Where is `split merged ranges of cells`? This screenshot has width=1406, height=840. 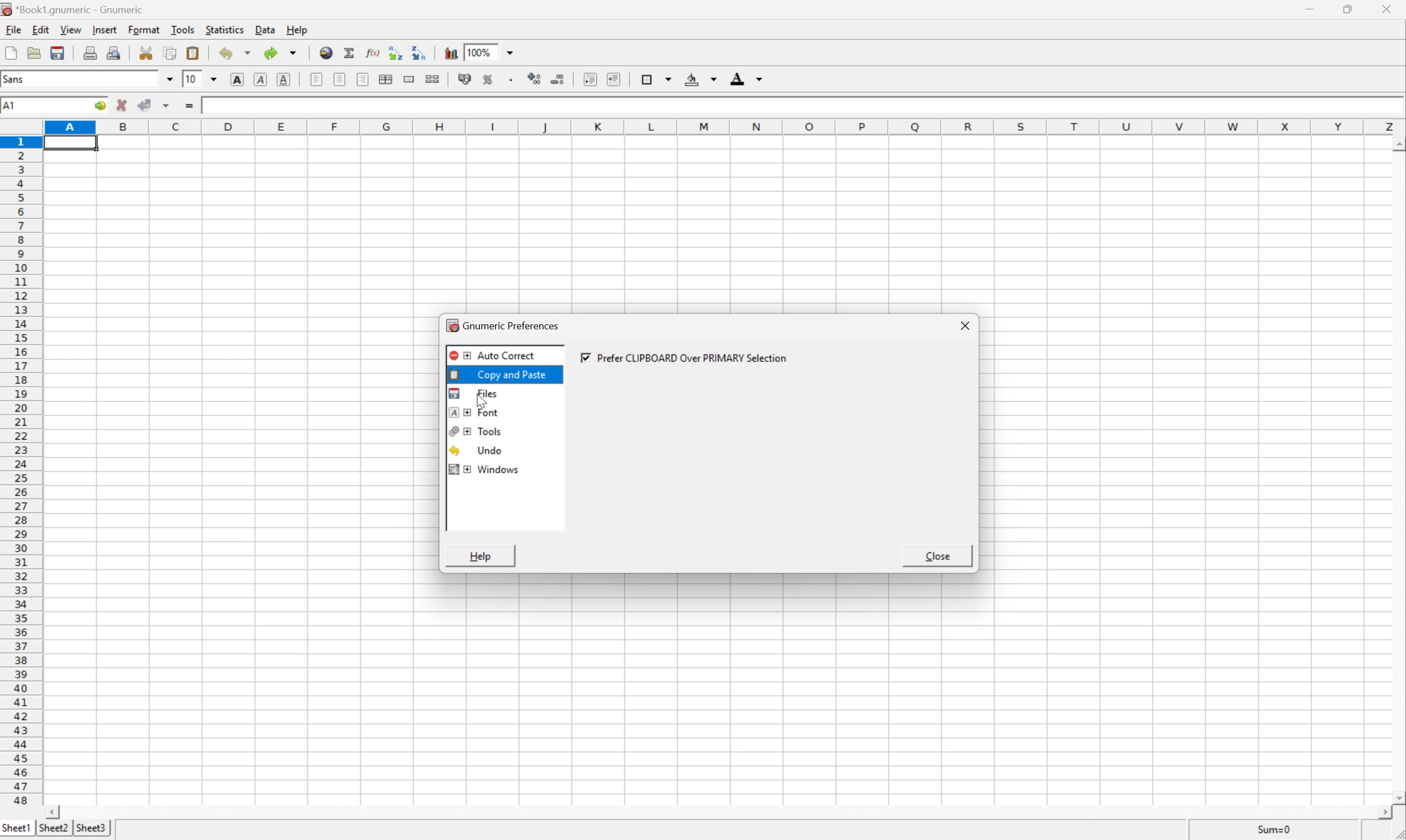
split merged ranges of cells is located at coordinates (433, 80).